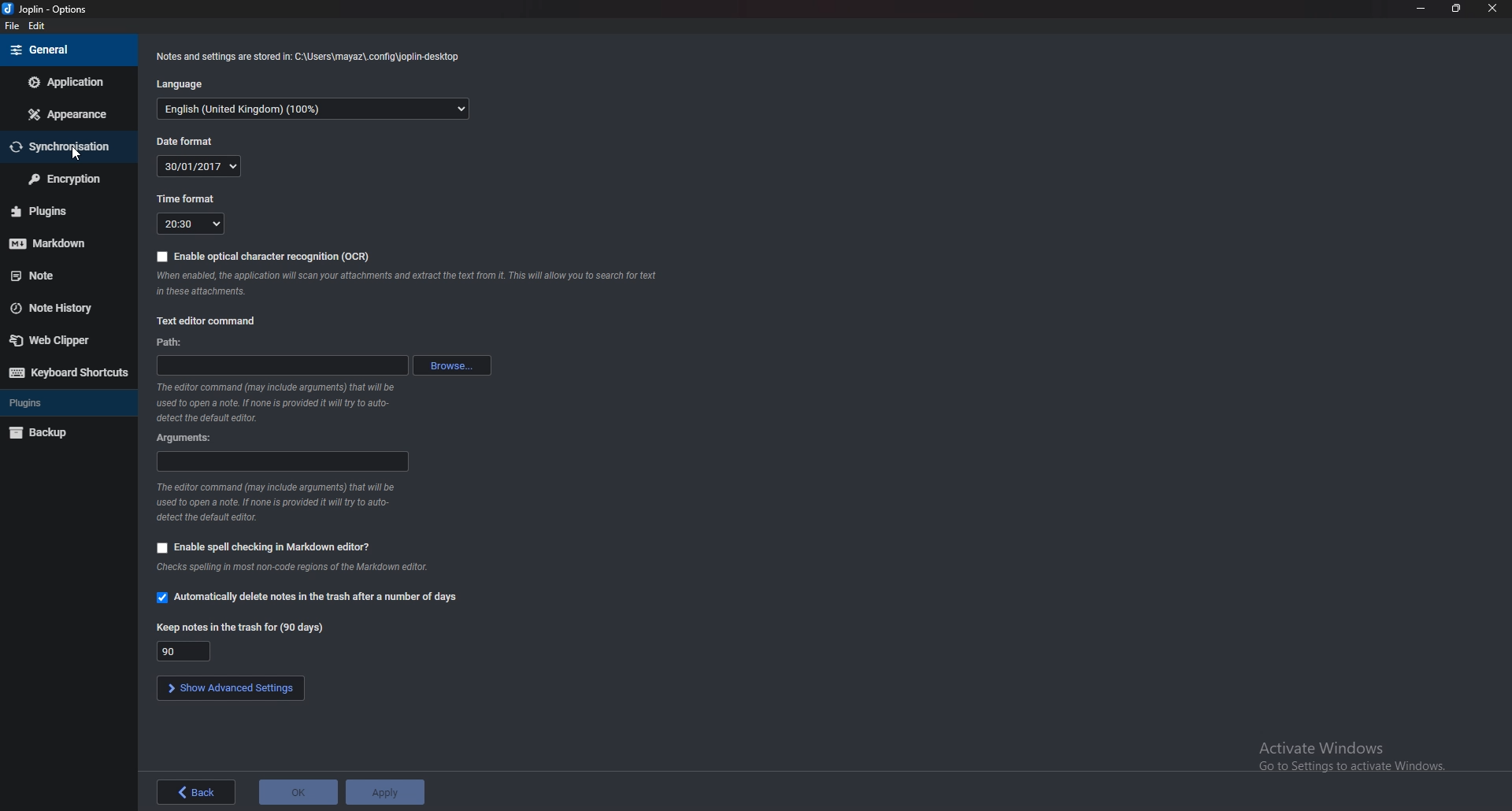 The width and height of the screenshot is (1512, 811). Describe the element at coordinates (269, 257) in the screenshot. I see `enable ocr` at that location.